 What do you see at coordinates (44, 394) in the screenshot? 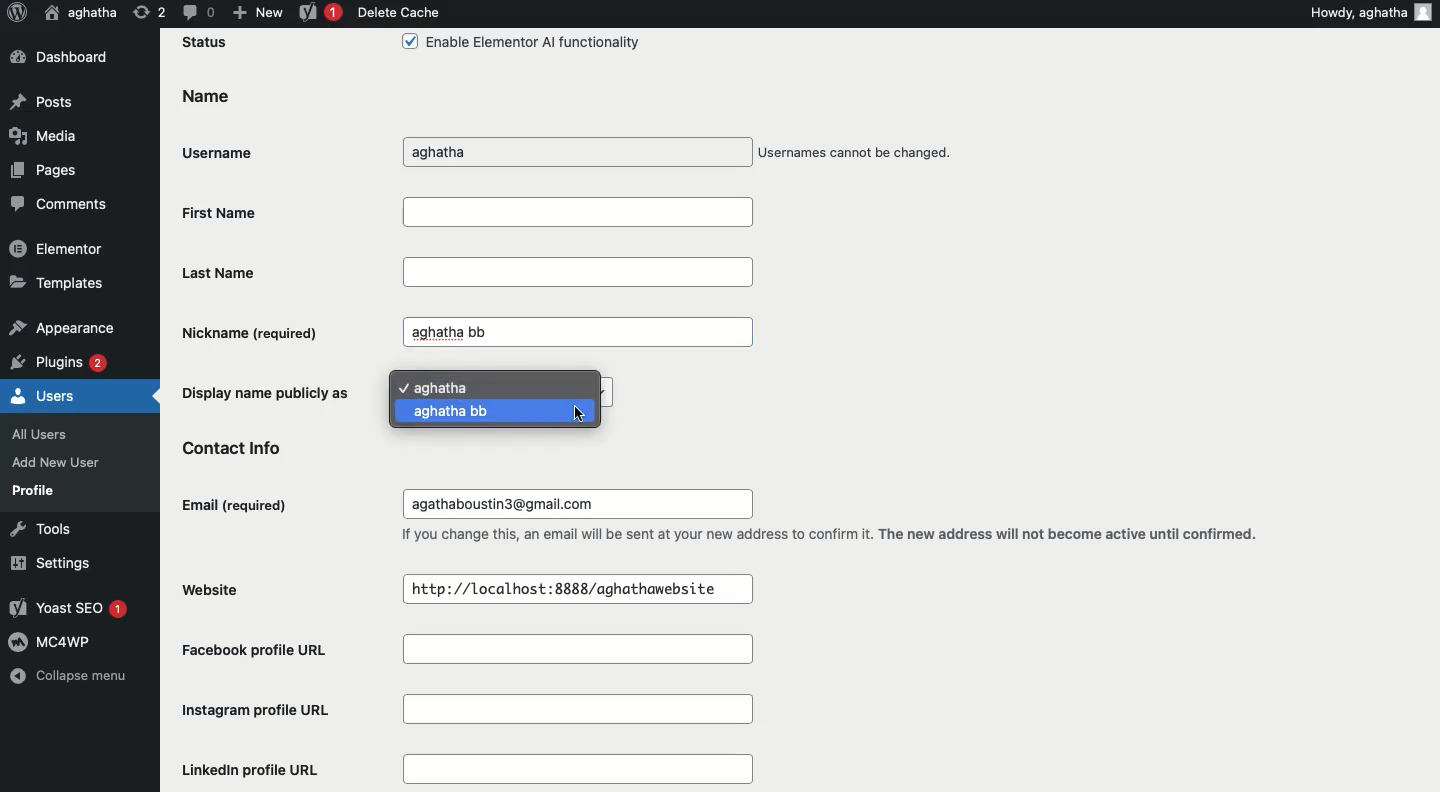
I see `Users` at bounding box center [44, 394].